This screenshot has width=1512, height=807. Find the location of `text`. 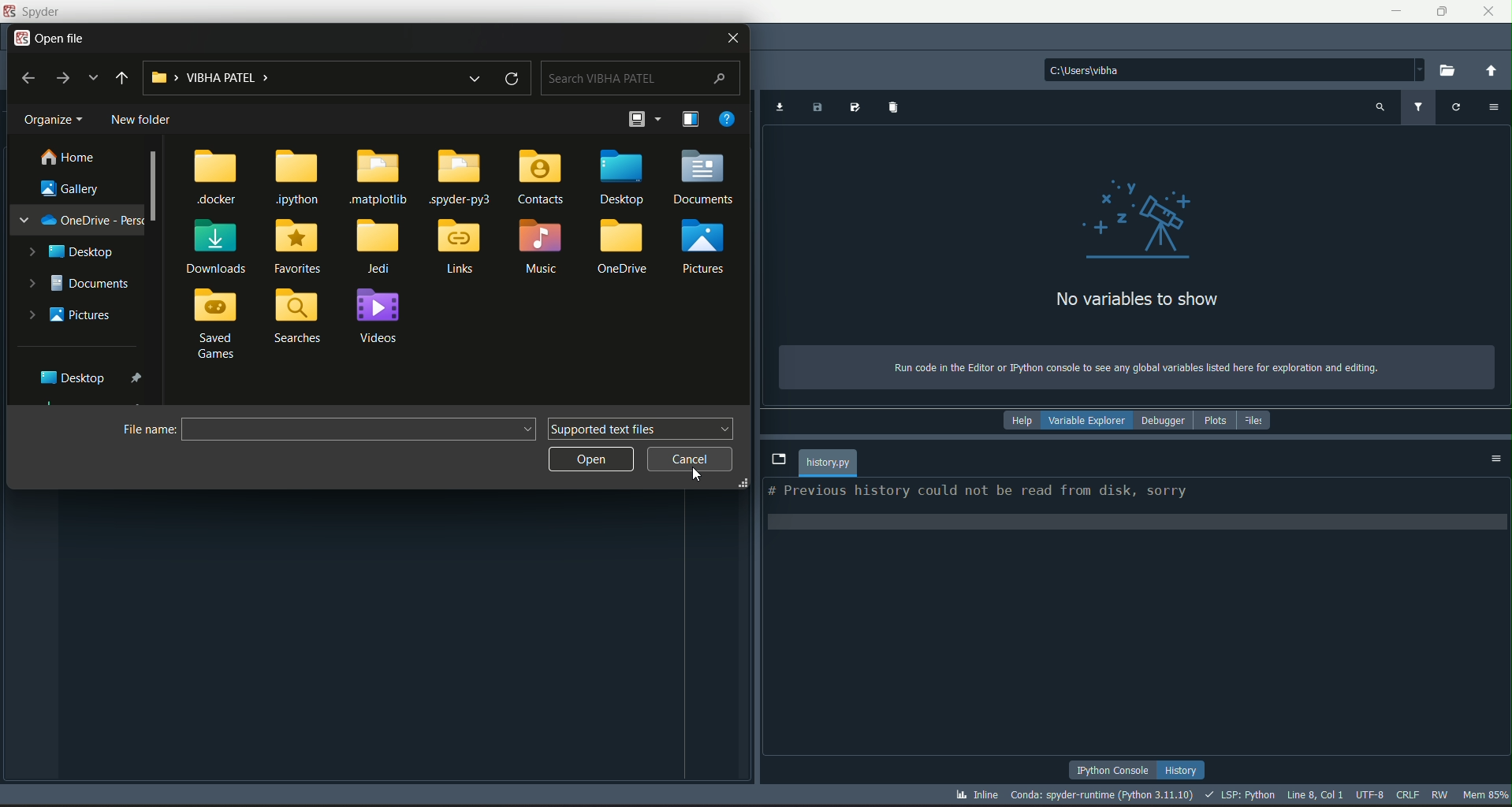

text is located at coordinates (978, 493).